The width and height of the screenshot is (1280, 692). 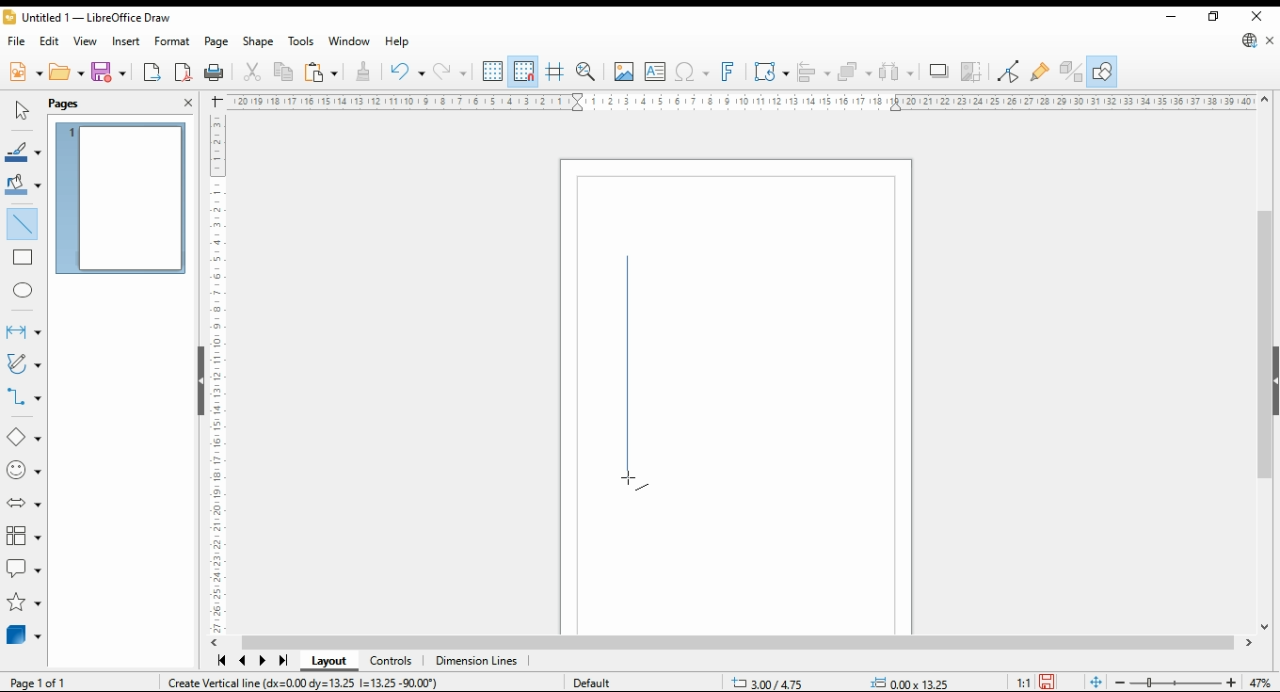 I want to click on cut, so click(x=254, y=72).